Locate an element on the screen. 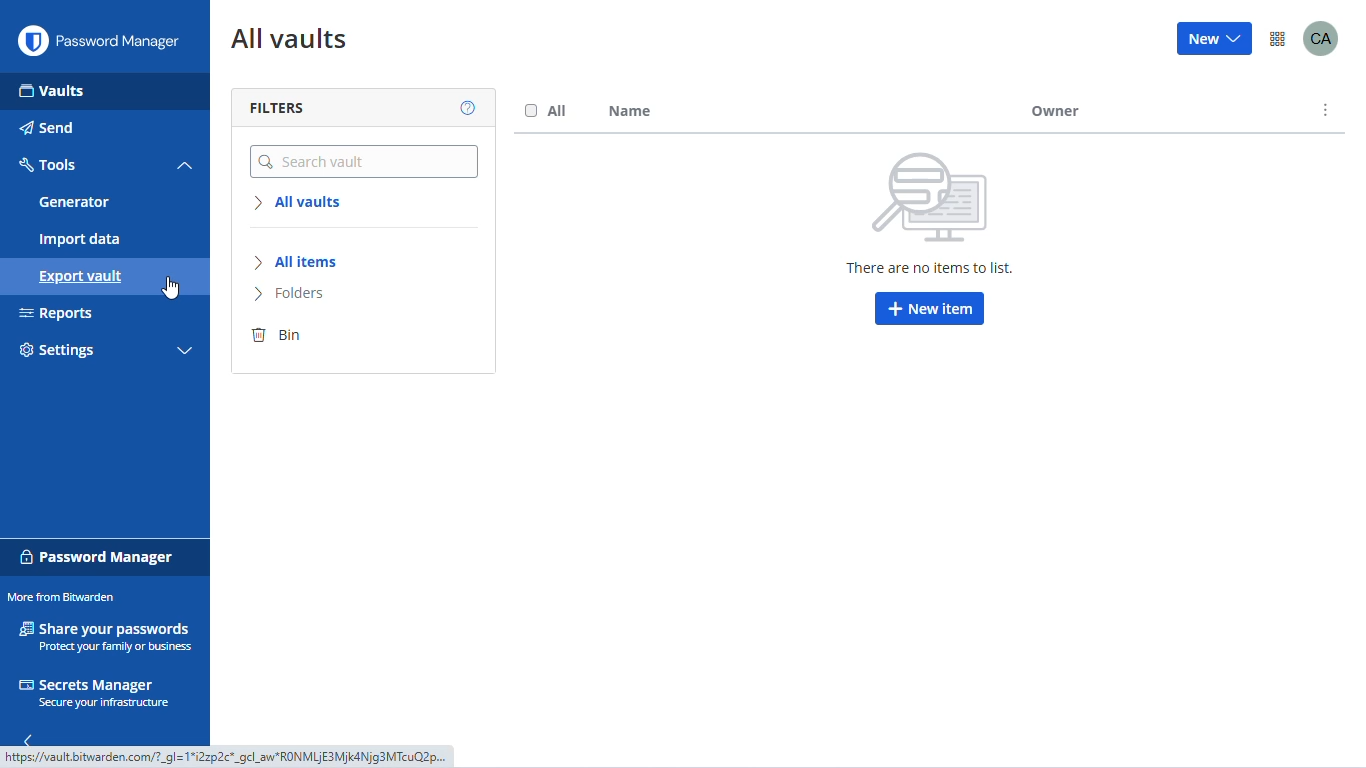 Image resolution: width=1366 pixels, height=768 pixels. new item is located at coordinates (930, 309).